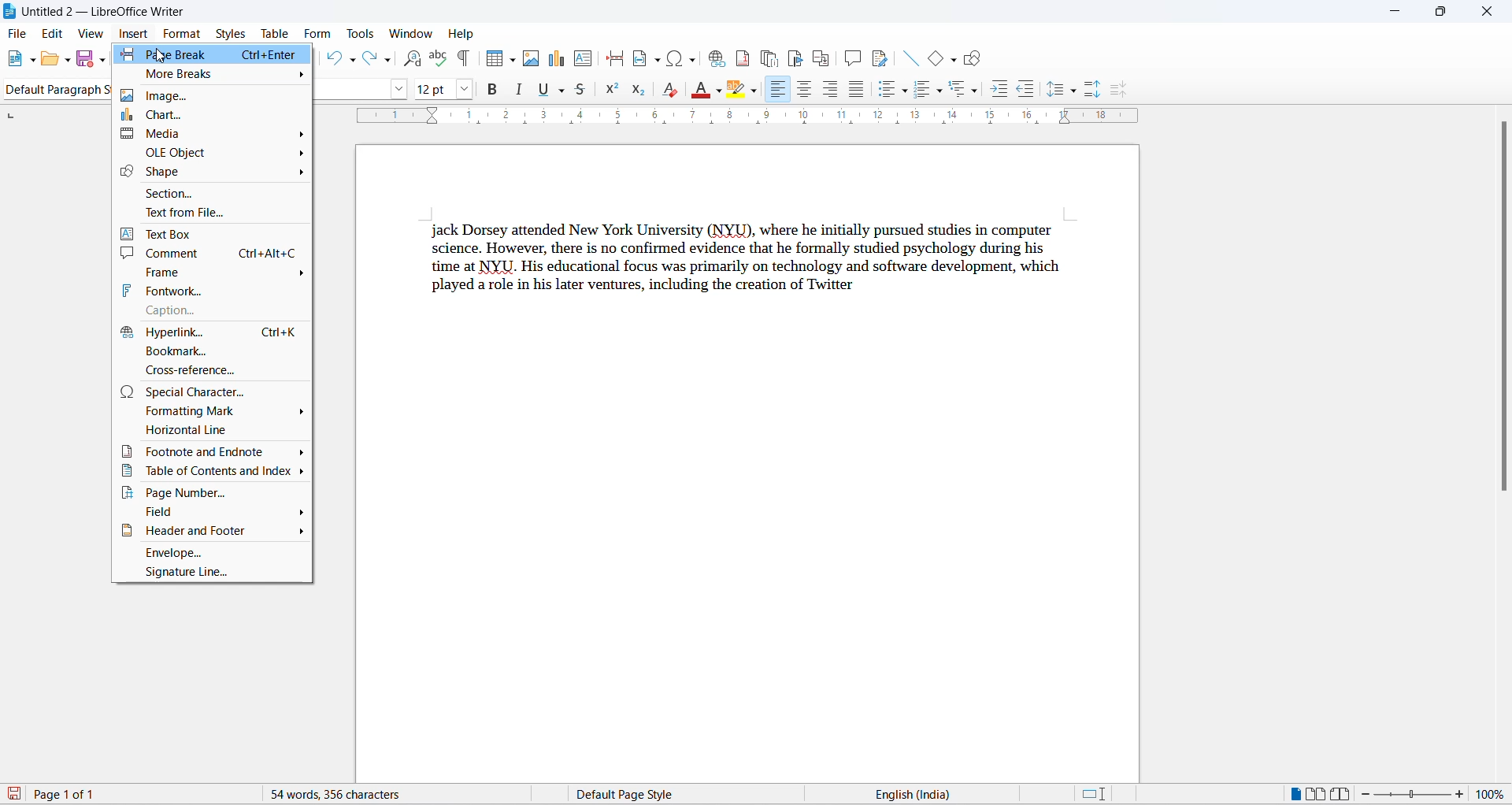 The width and height of the screenshot is (1512, 805). I want to click on view, so click(92, 34).